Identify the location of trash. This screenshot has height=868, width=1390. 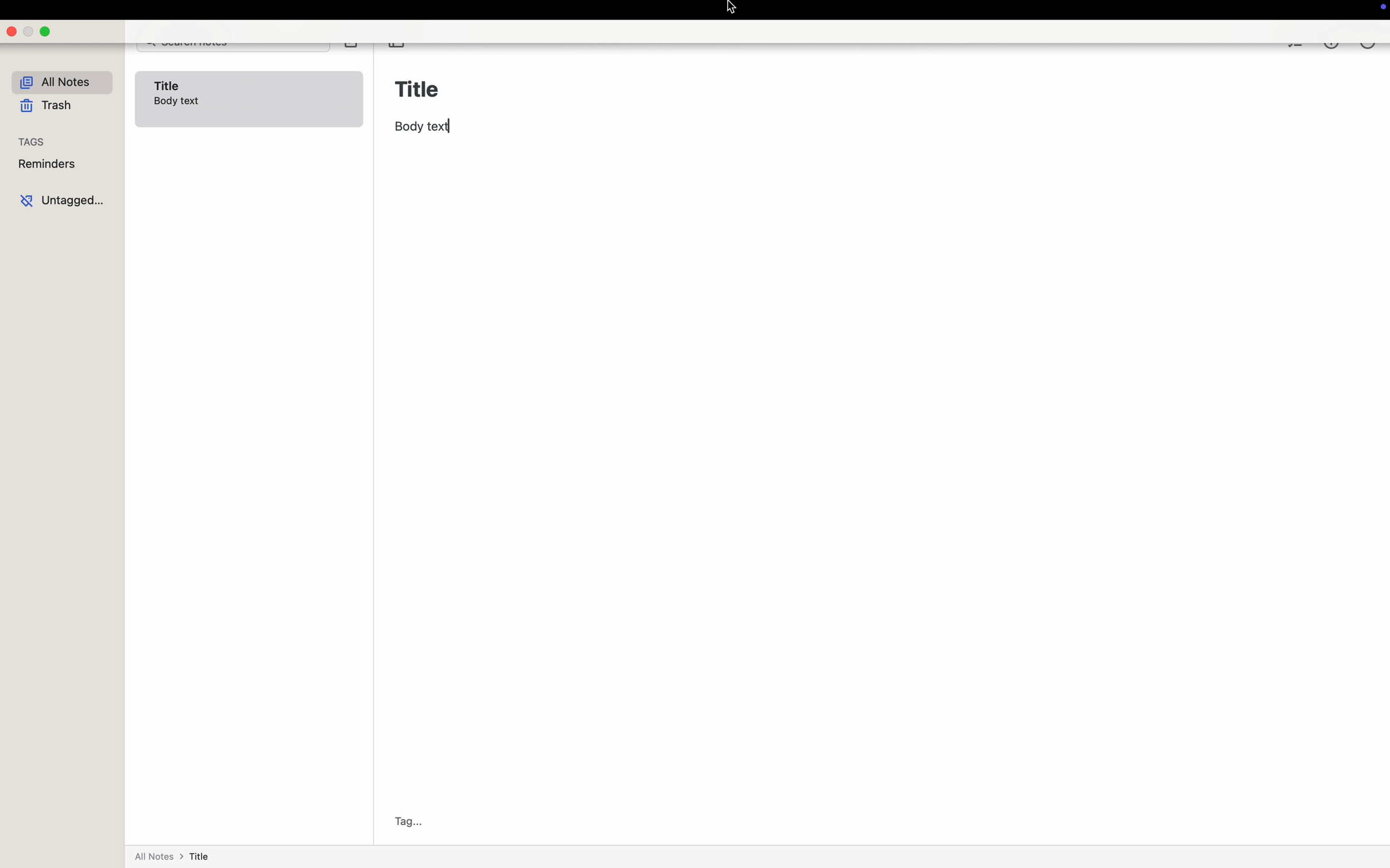
(46, 106).